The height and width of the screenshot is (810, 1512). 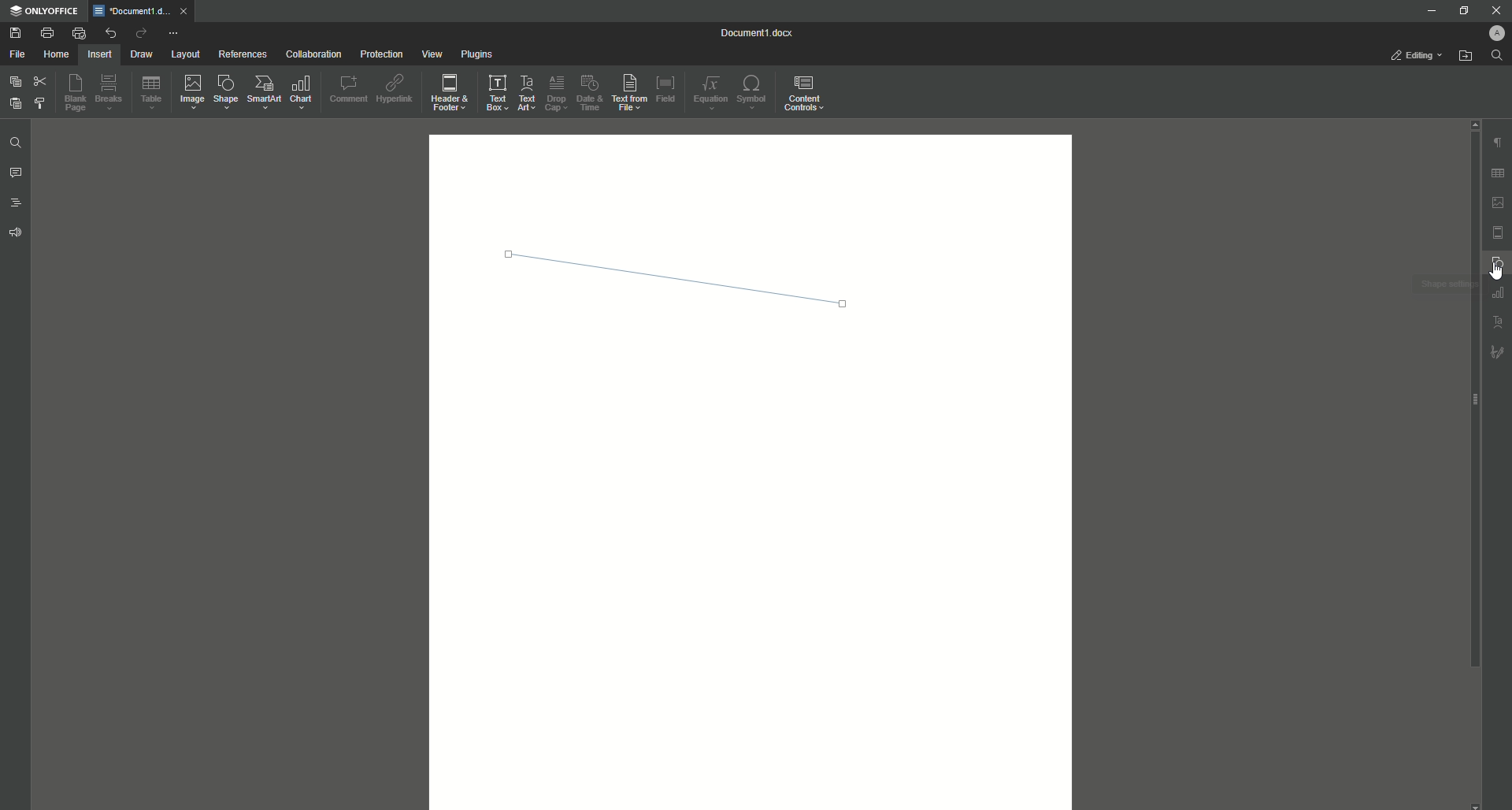 What do you see at coordinates (1460, 396) in the screenshot?
I see `Scroll bar` at bounding box center [1460, 396].